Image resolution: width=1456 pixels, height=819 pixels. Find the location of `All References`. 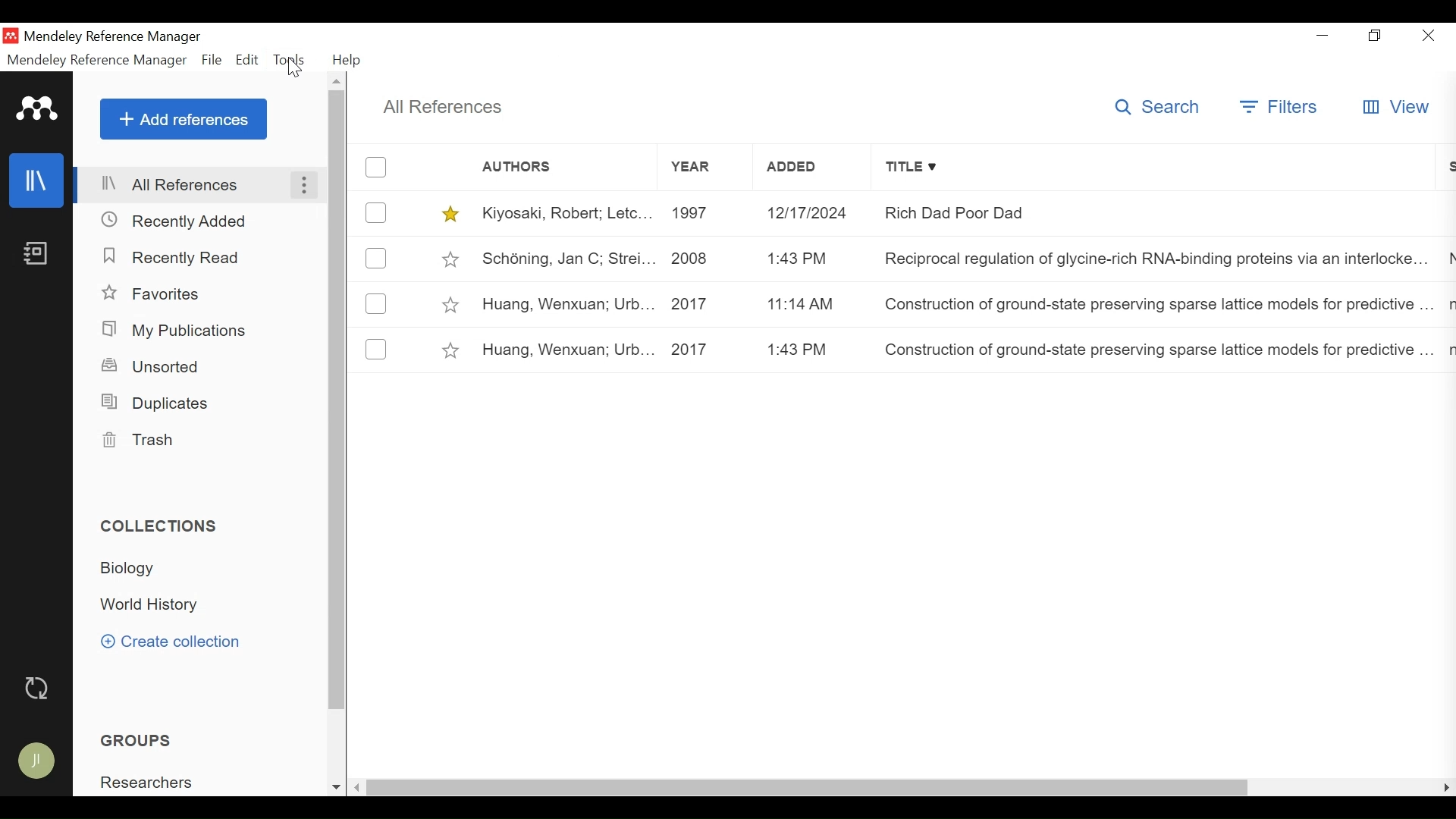

All References is located at coordinates (199, 186).